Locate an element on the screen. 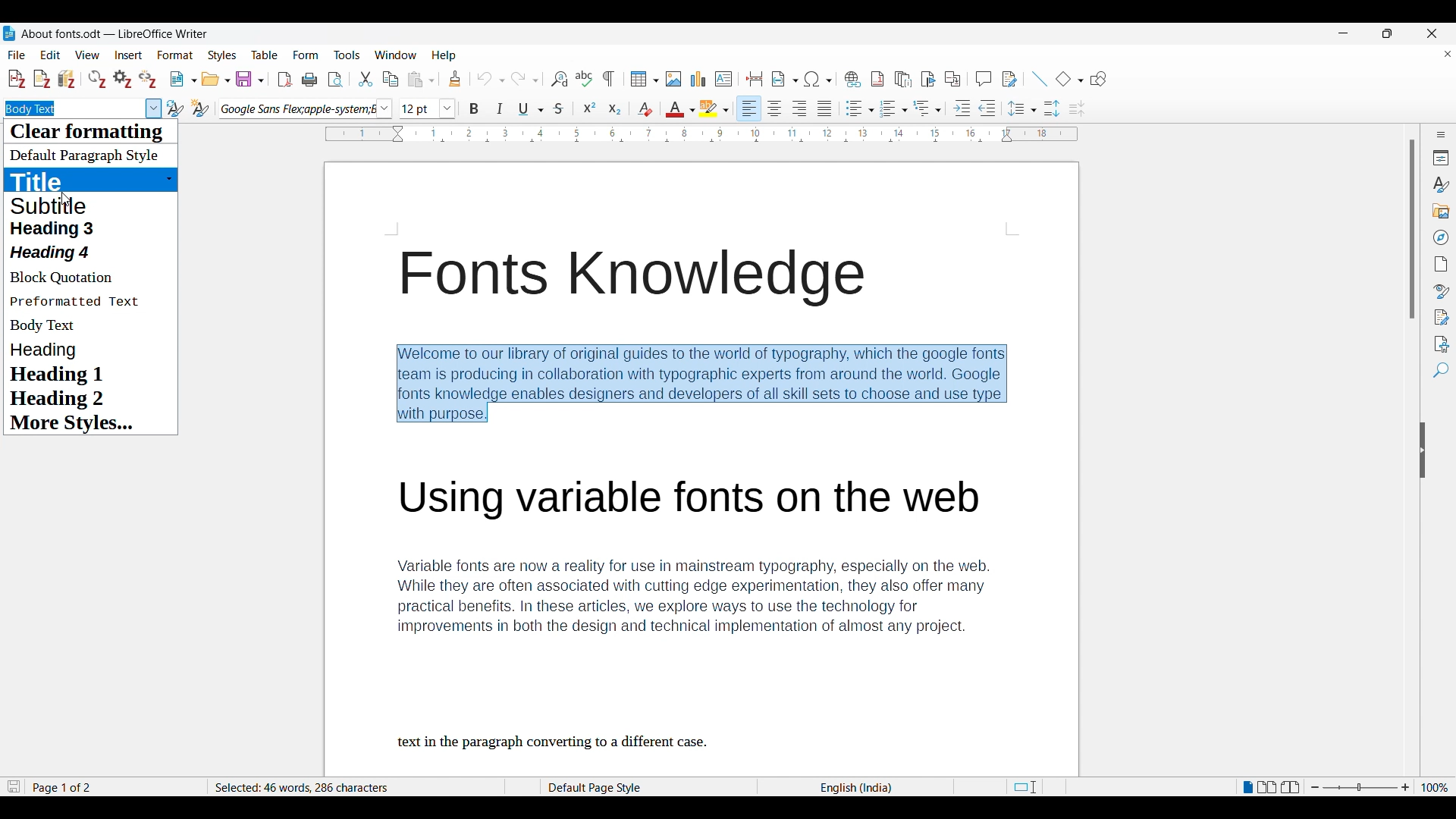  Cursor is located at coordinates (66, 199).